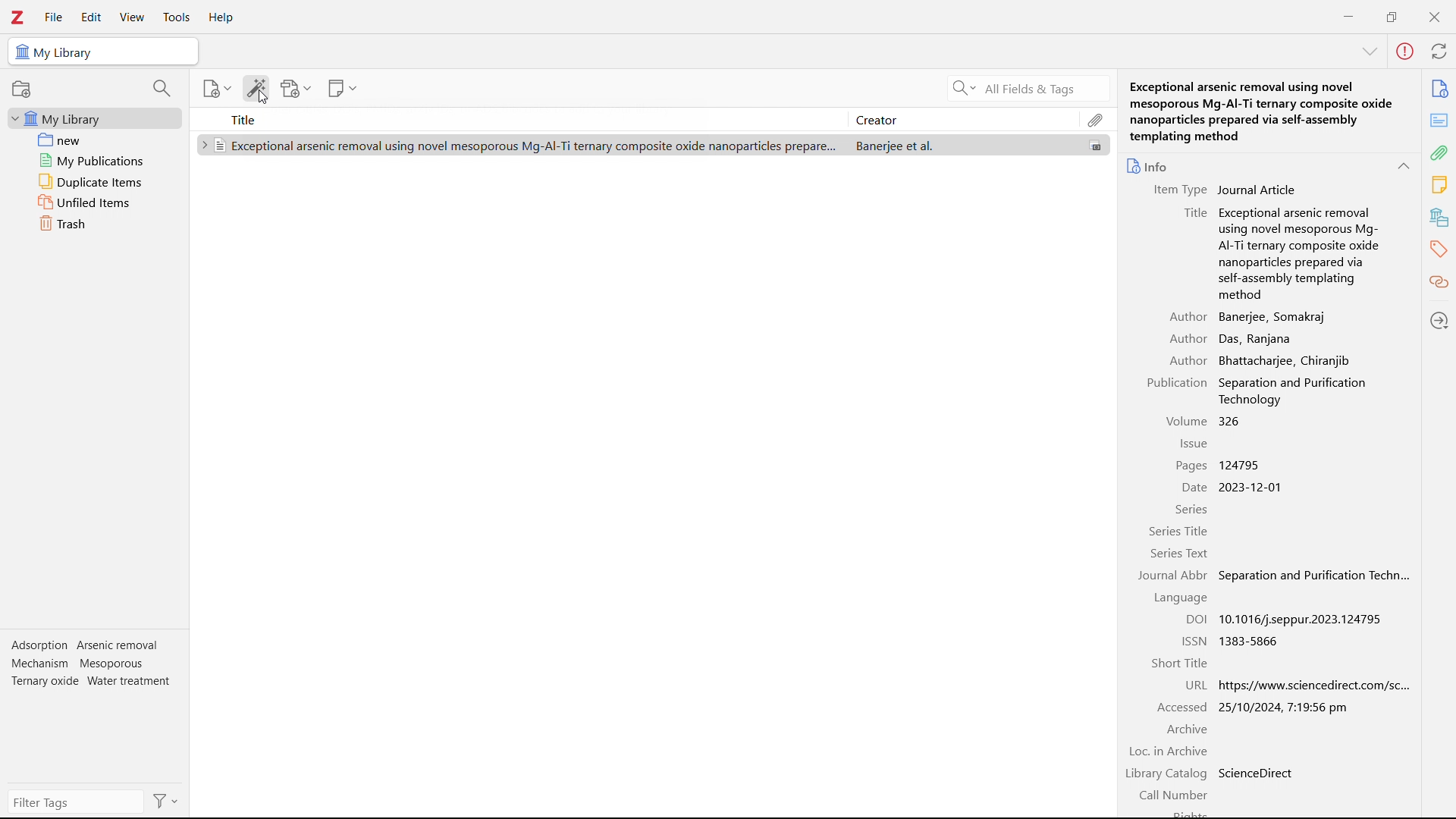 The image size is (1456, 819). What do you see at coordinates (1441, 216) in the screenshot?
I see `libraries and collections` at bounding box center [1441, 216].